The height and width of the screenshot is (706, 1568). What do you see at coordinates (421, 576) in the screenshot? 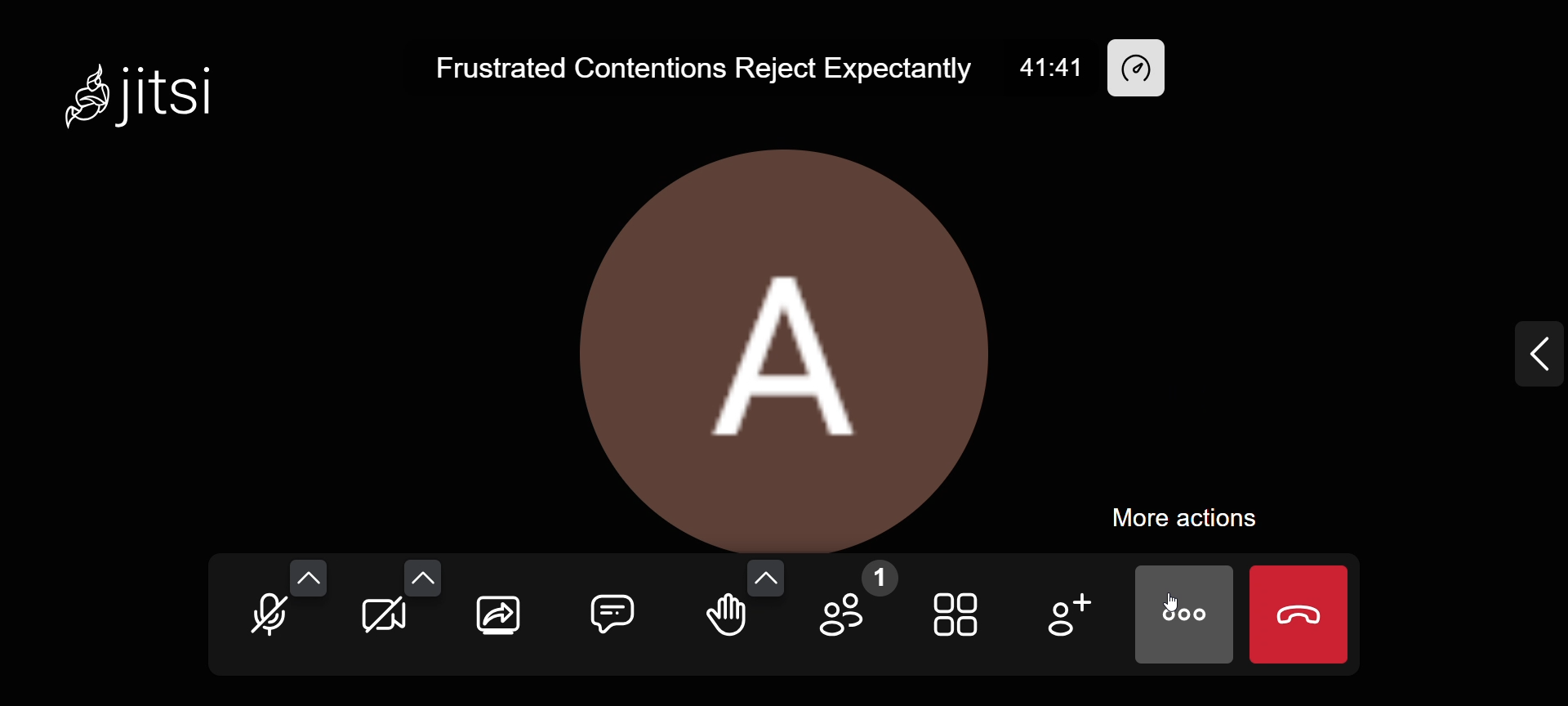
I see `video settings` at bounding box center [421, 576].